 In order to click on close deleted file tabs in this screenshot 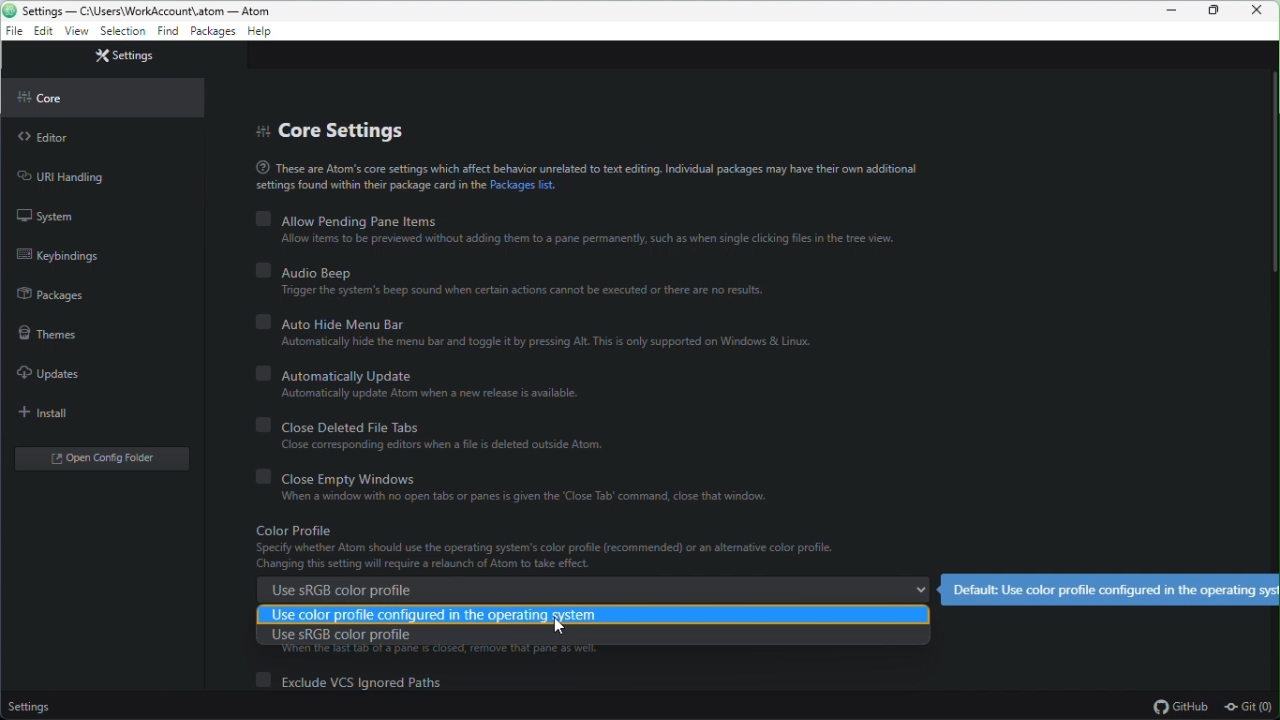, I will do `click(455, 438)`.